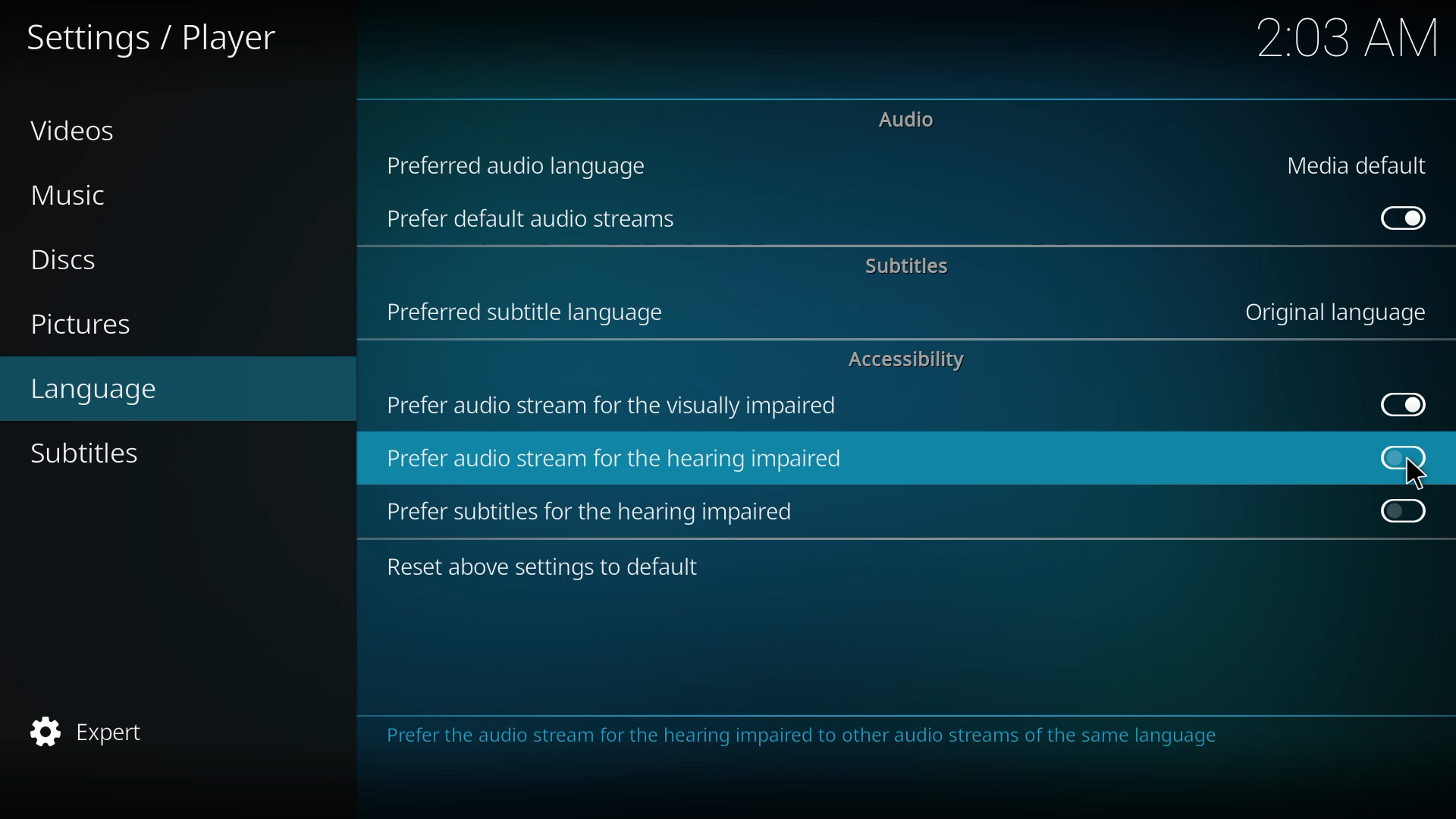  Describe the element at coordinates (89, 452) in the screenshot. I see `subtitles` at that location.